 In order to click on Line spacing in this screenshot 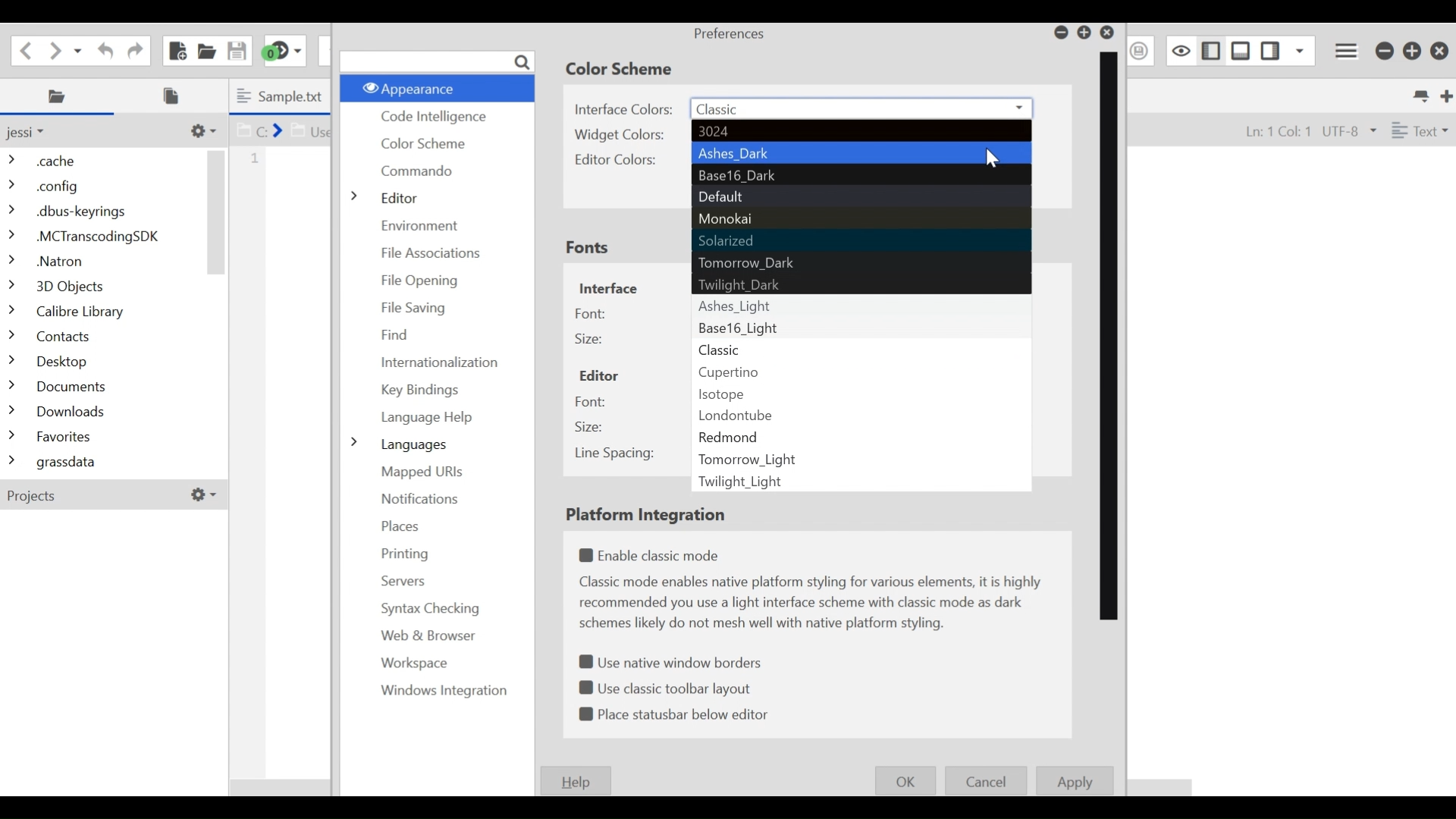, I will do `click(614, 455)`.